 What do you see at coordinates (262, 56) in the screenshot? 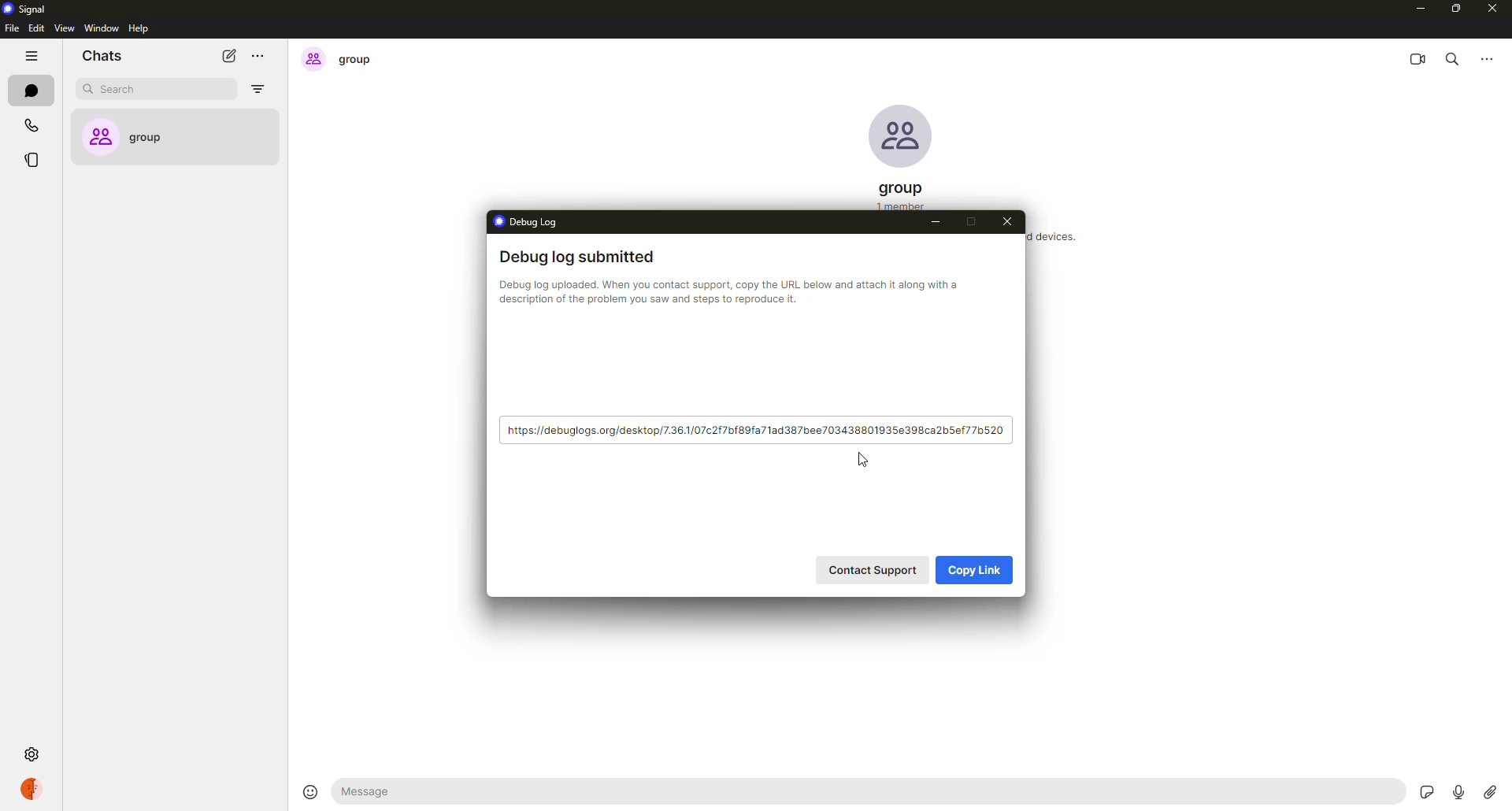
I see `more` at bounding box center [262, 56].